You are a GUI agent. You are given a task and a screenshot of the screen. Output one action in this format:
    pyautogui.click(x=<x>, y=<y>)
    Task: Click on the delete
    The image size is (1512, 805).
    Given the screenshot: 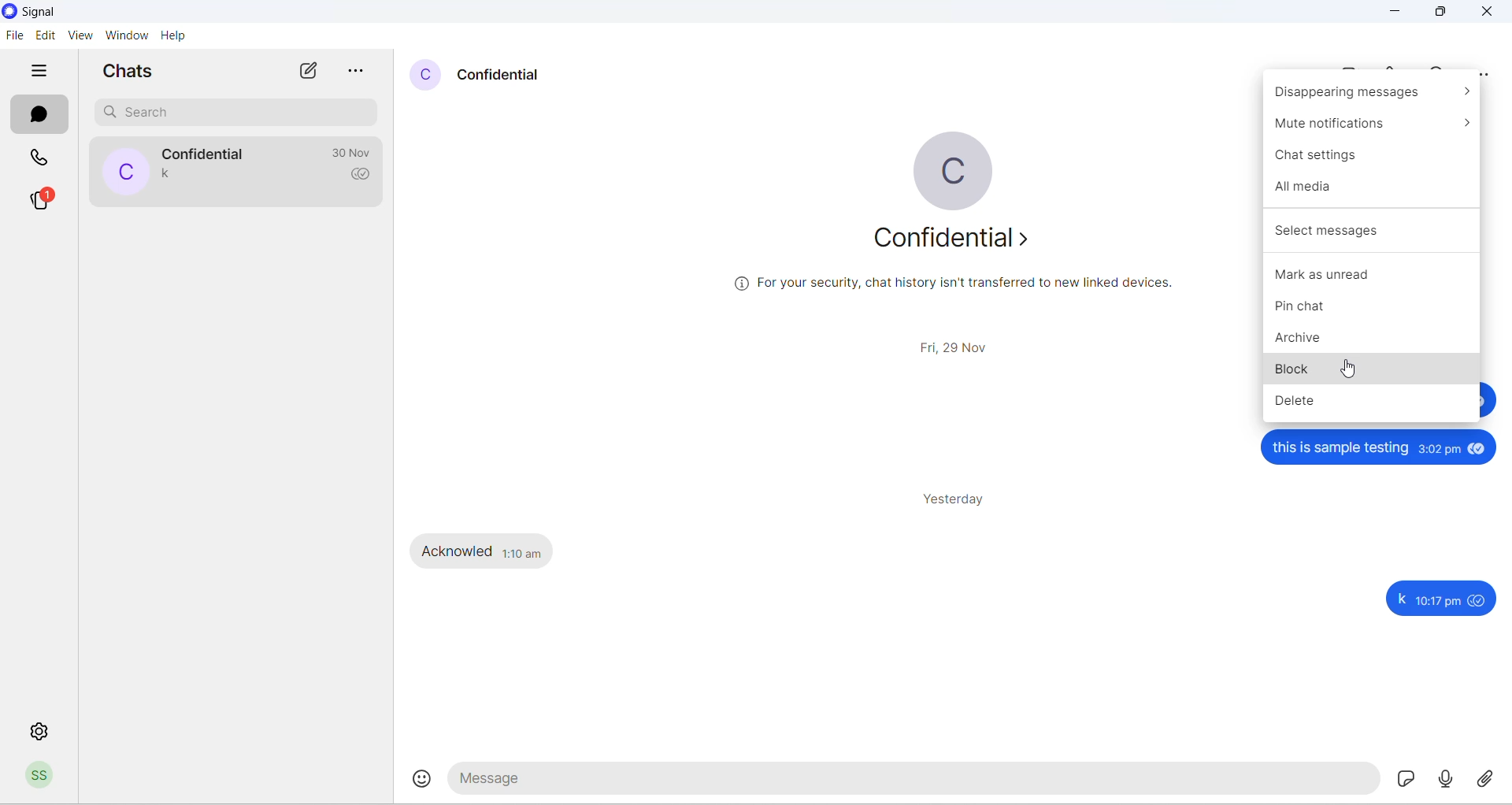 What is the action you would take?
    pyautogui.click(x=1369, y=406)
    